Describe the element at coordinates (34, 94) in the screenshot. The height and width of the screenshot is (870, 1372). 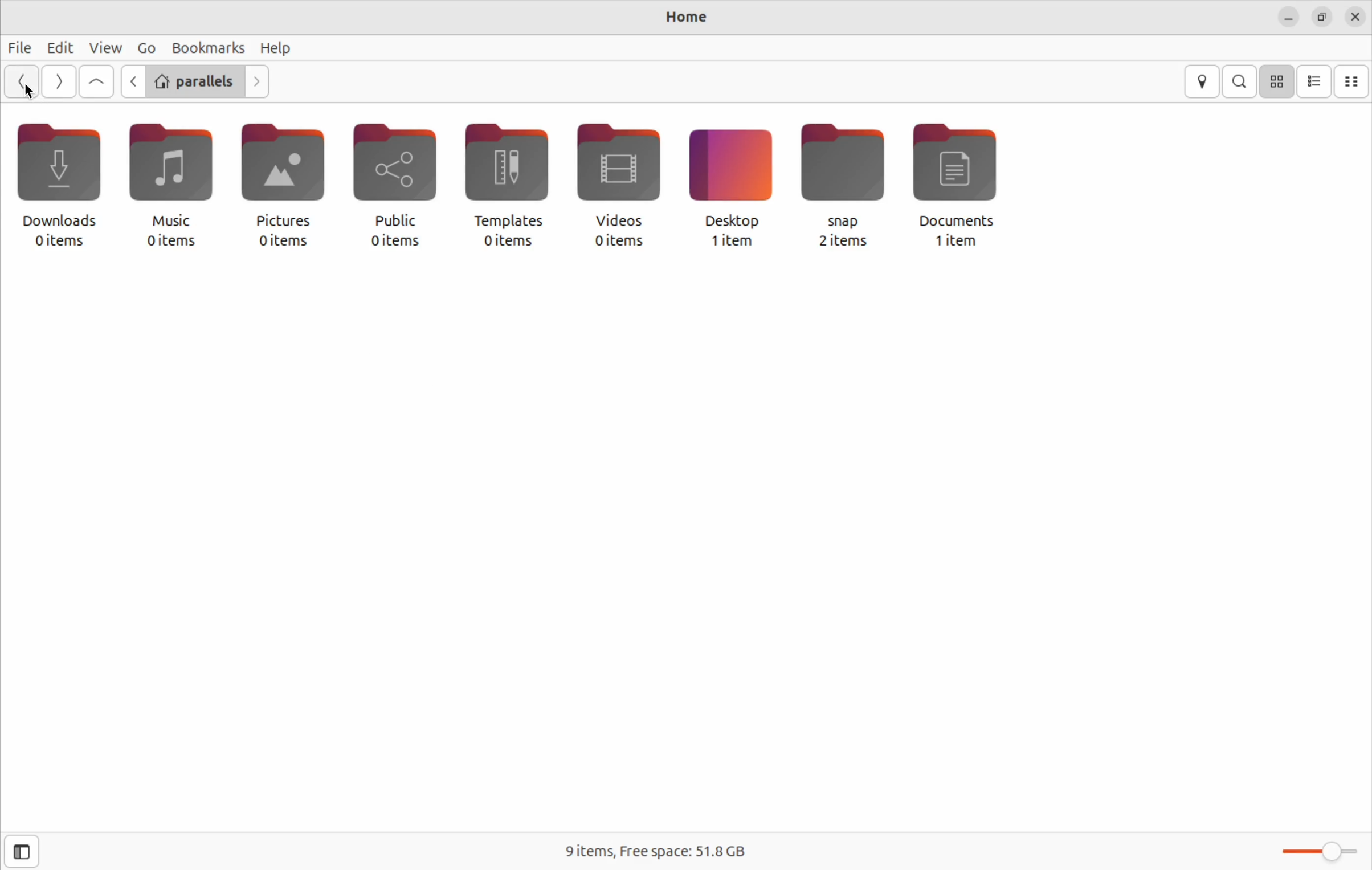
I see `cursor` at that location.